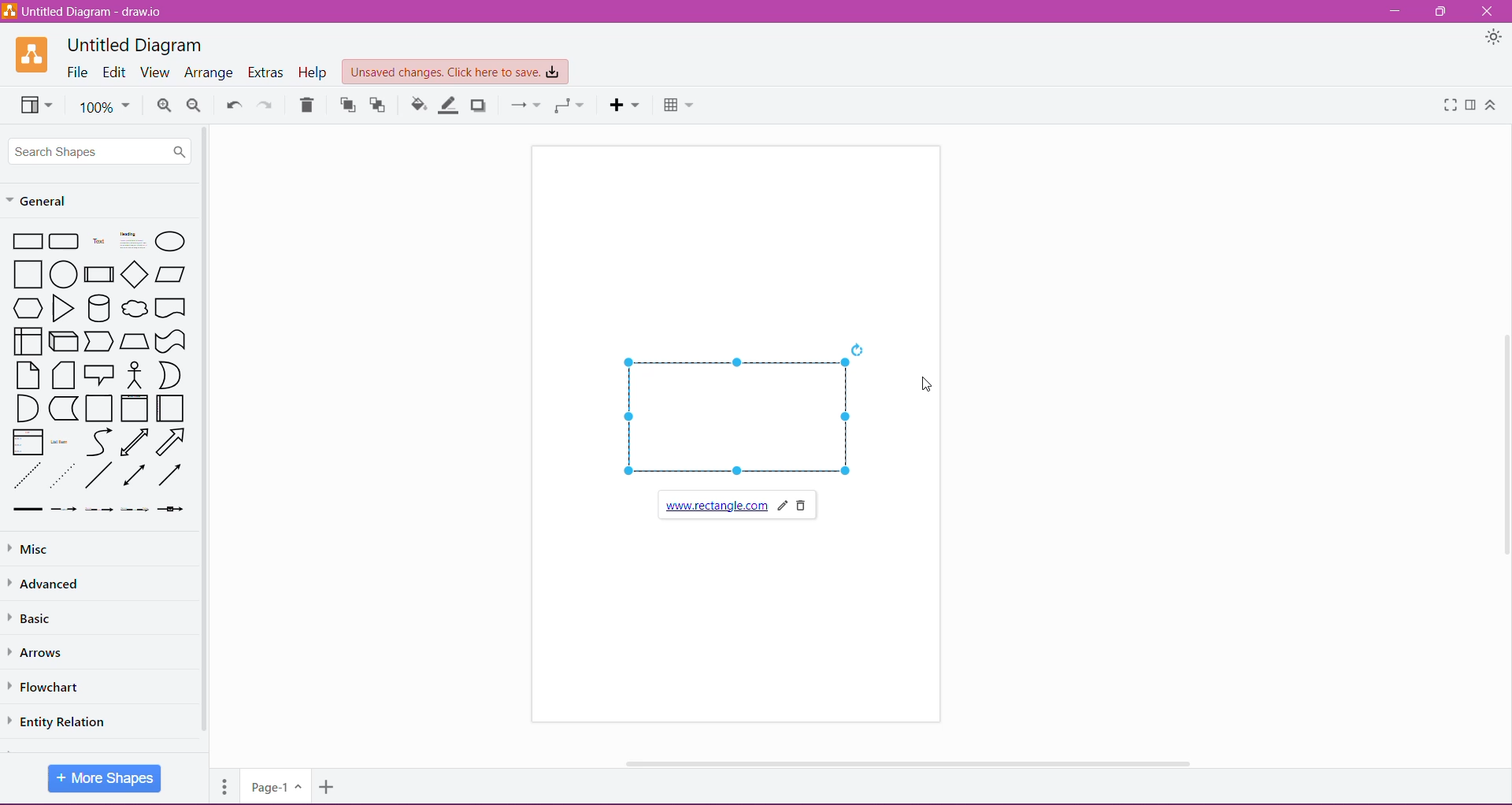 This screenshot has width=1512, height=805. I want to click on Unsaved Changes. Click here to save., so click(454, 72).